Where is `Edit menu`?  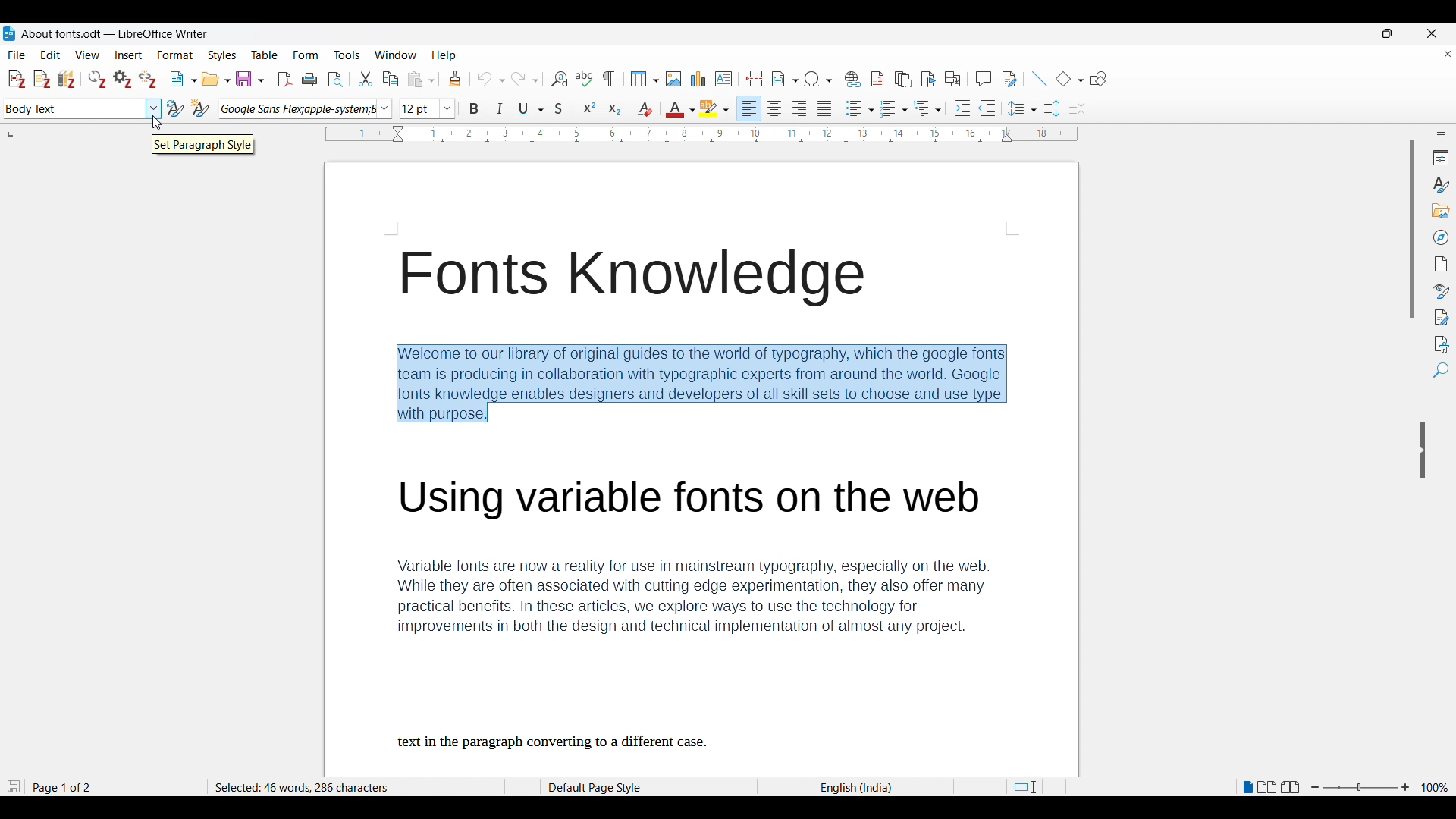
Edit menu is located at coordinates (50, 55).